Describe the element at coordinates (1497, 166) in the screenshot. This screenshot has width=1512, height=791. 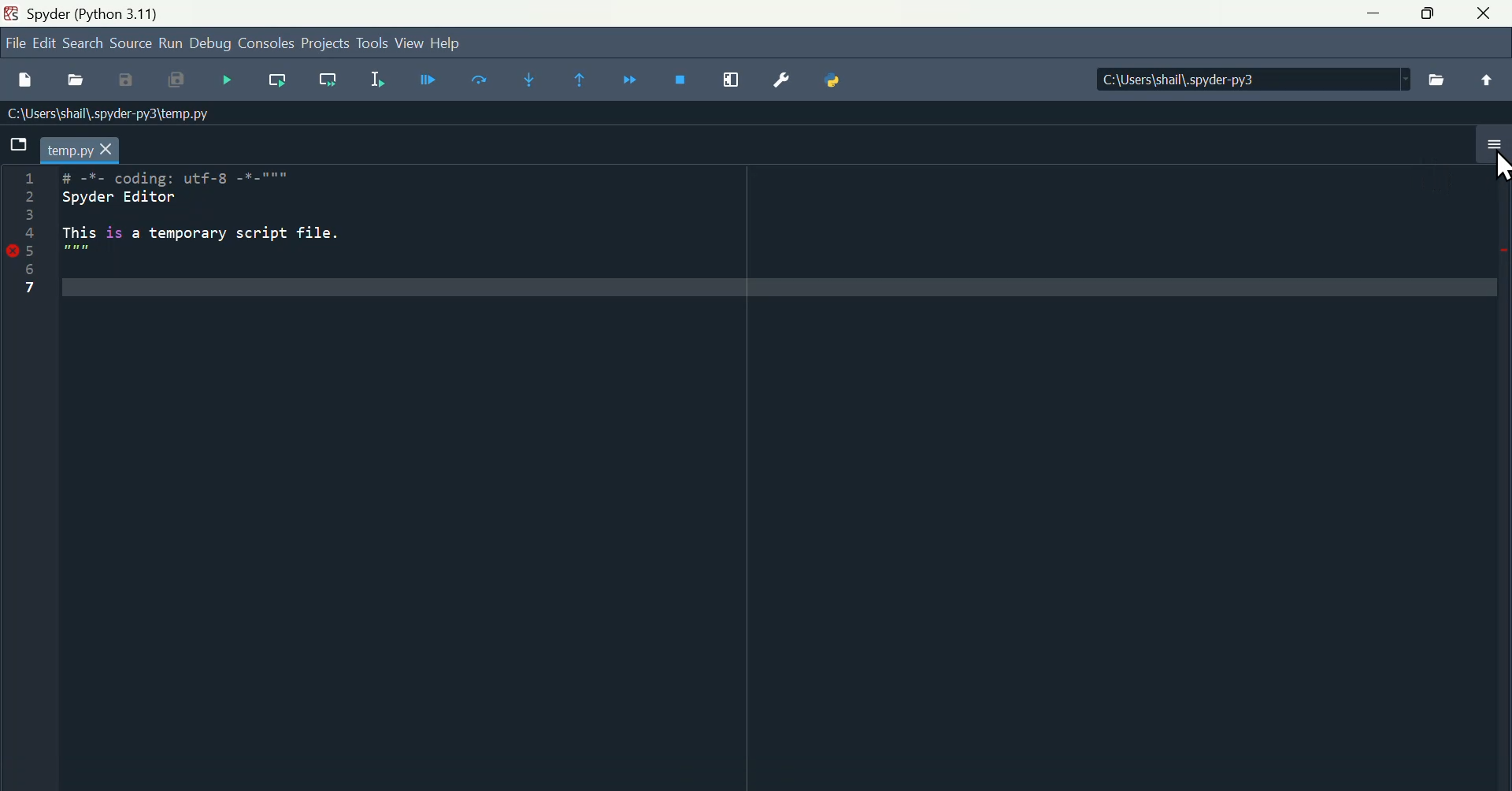
I see `Cursor on More options` at that location.